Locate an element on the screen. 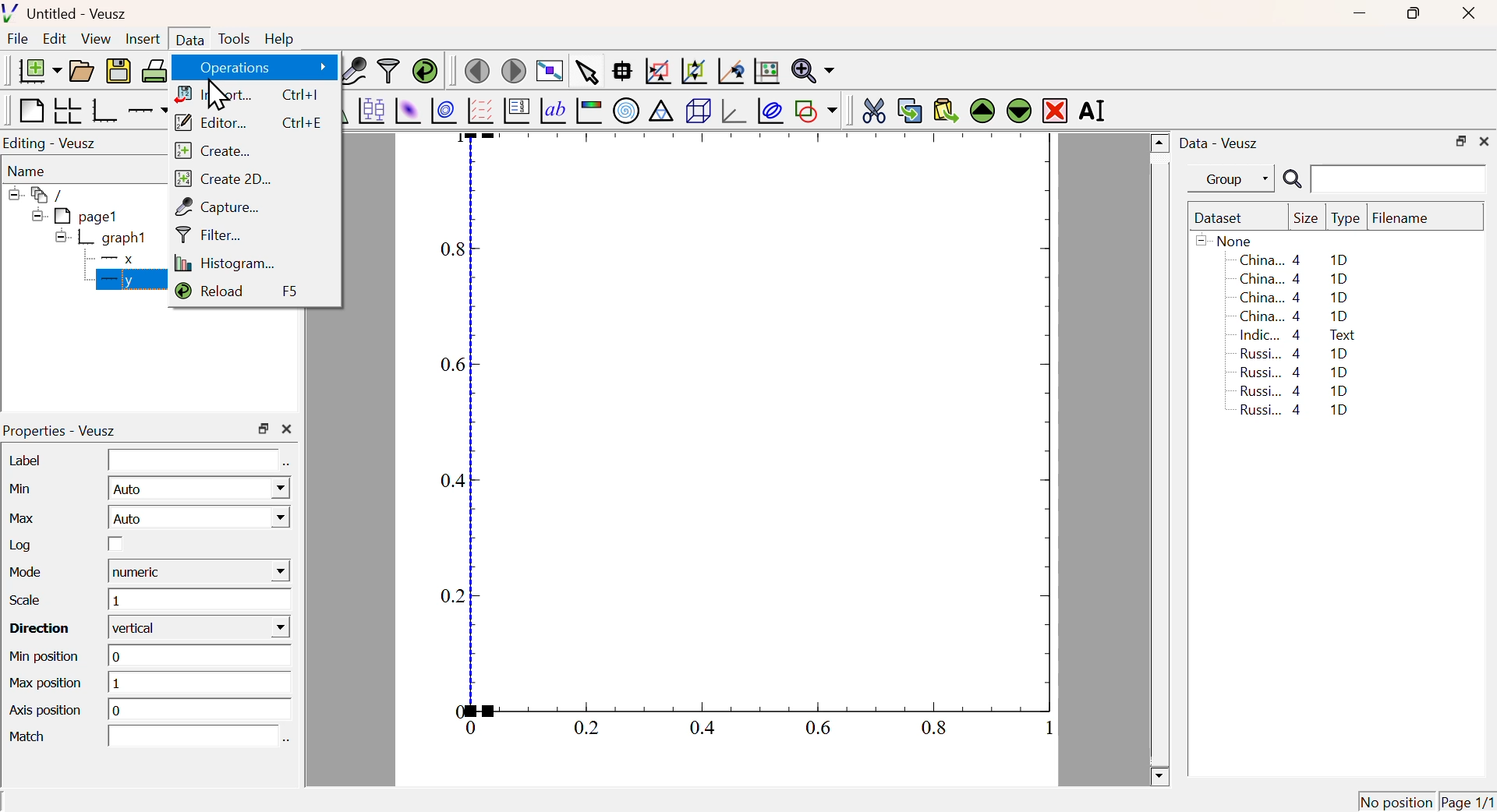  Close is located at coordinates (1485, 139).